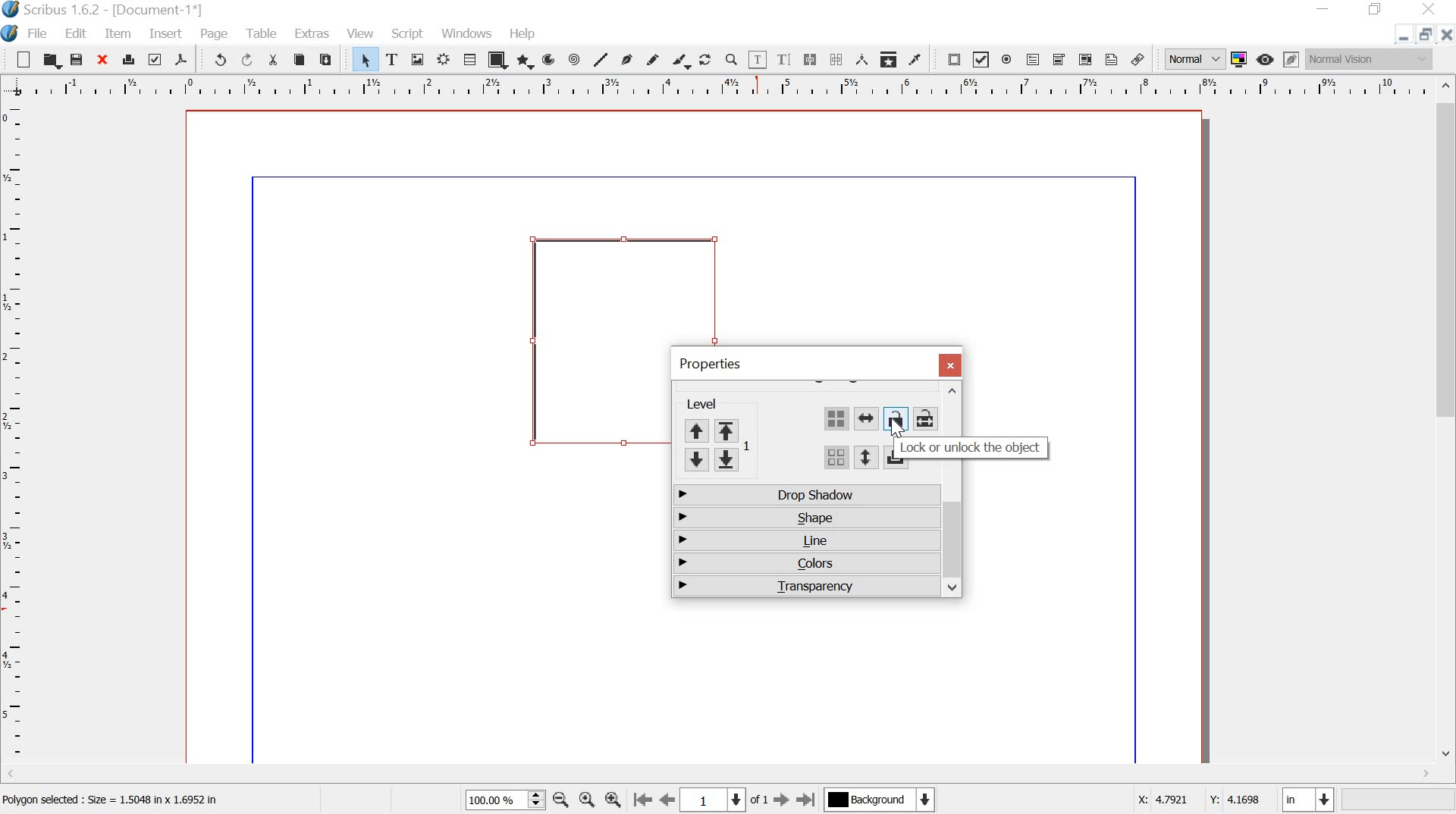 The width and height of the screenshot is (1456, 814). What do you see at coordinates (602, 59) in the screenshot?
I see `line` at bounding box center [602, 59].